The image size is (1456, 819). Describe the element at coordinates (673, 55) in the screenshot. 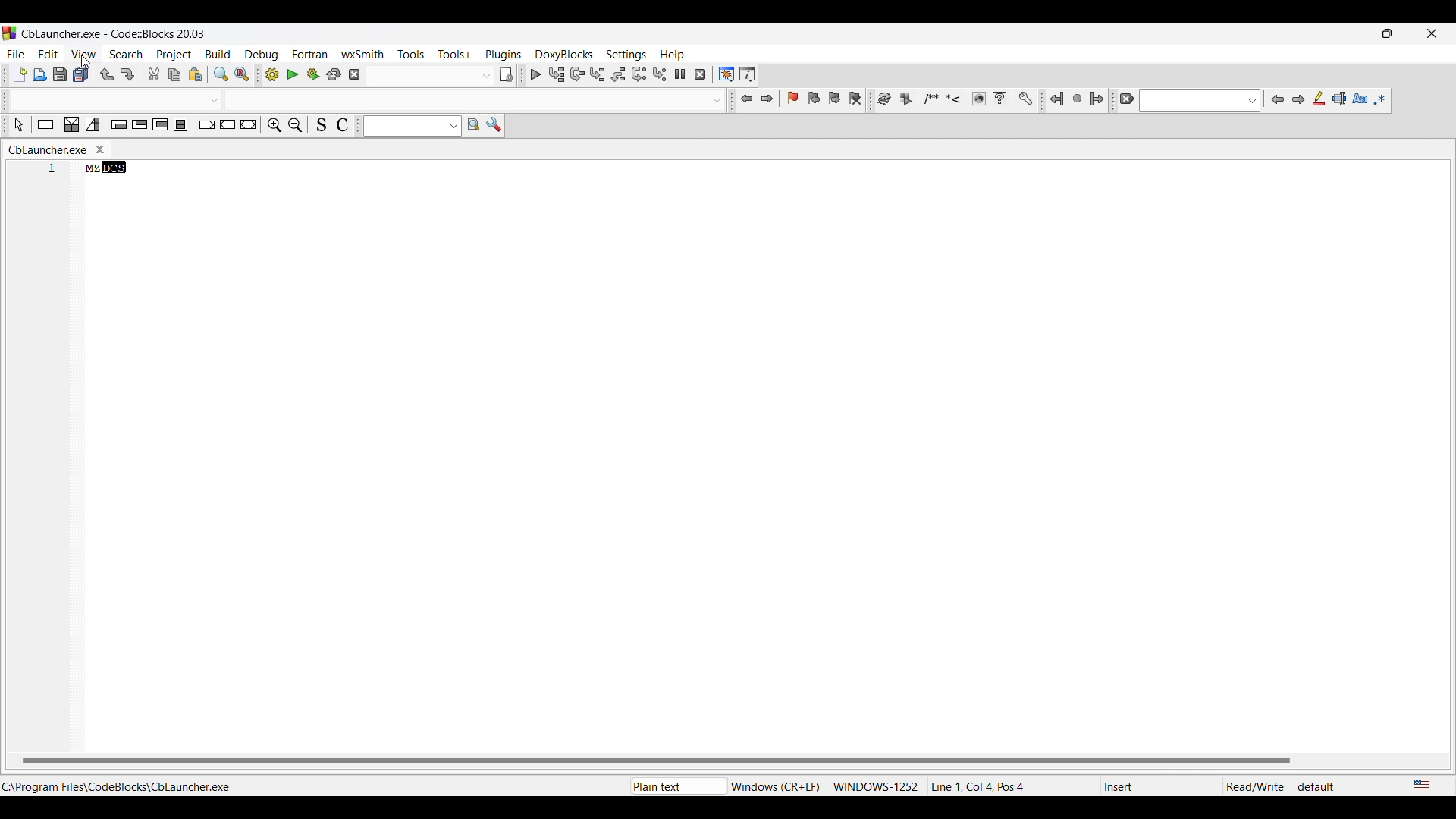

I see `Help menu` at that location.